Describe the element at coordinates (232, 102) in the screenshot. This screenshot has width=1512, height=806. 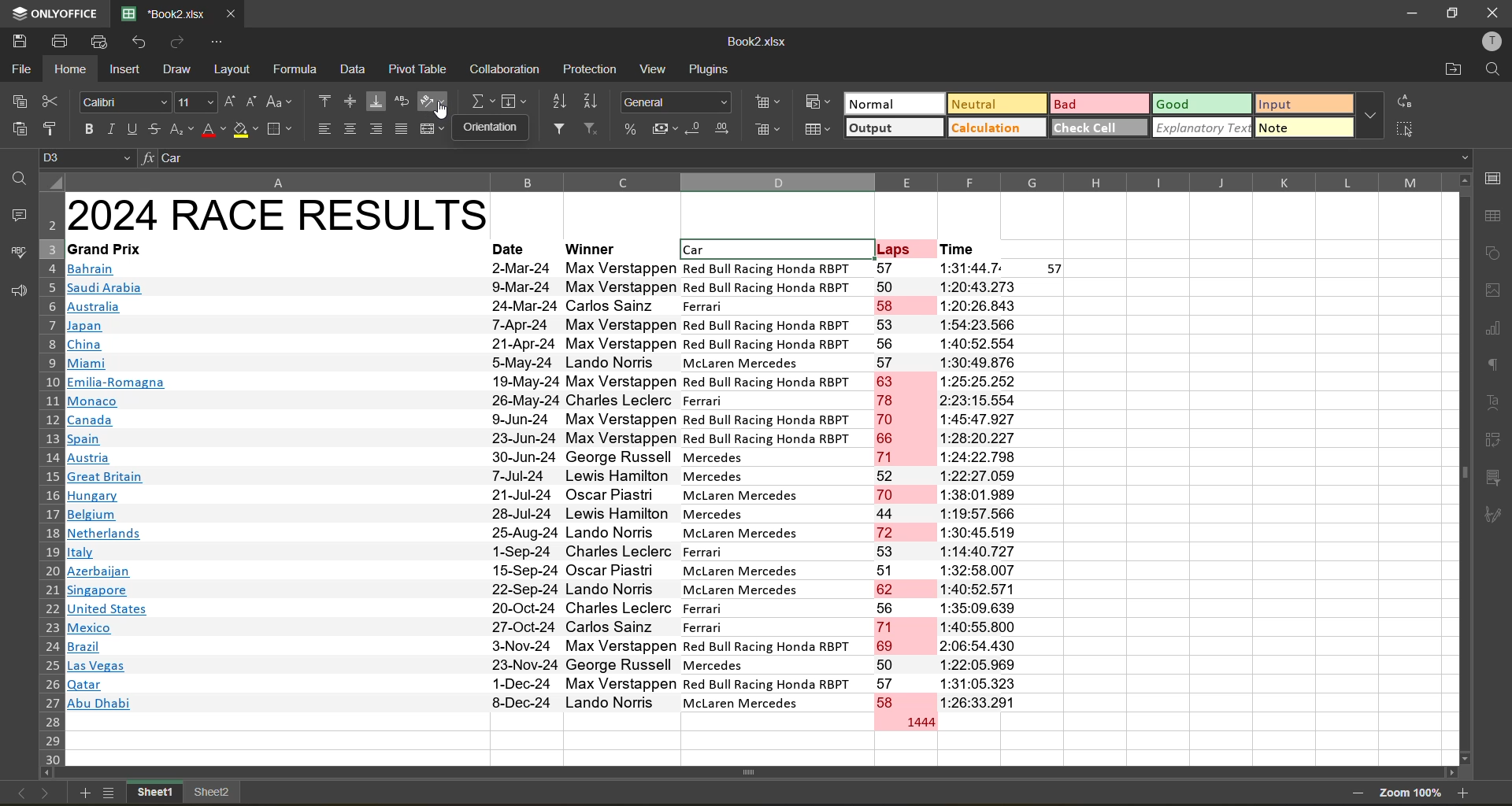
I see `increment size` at that location.